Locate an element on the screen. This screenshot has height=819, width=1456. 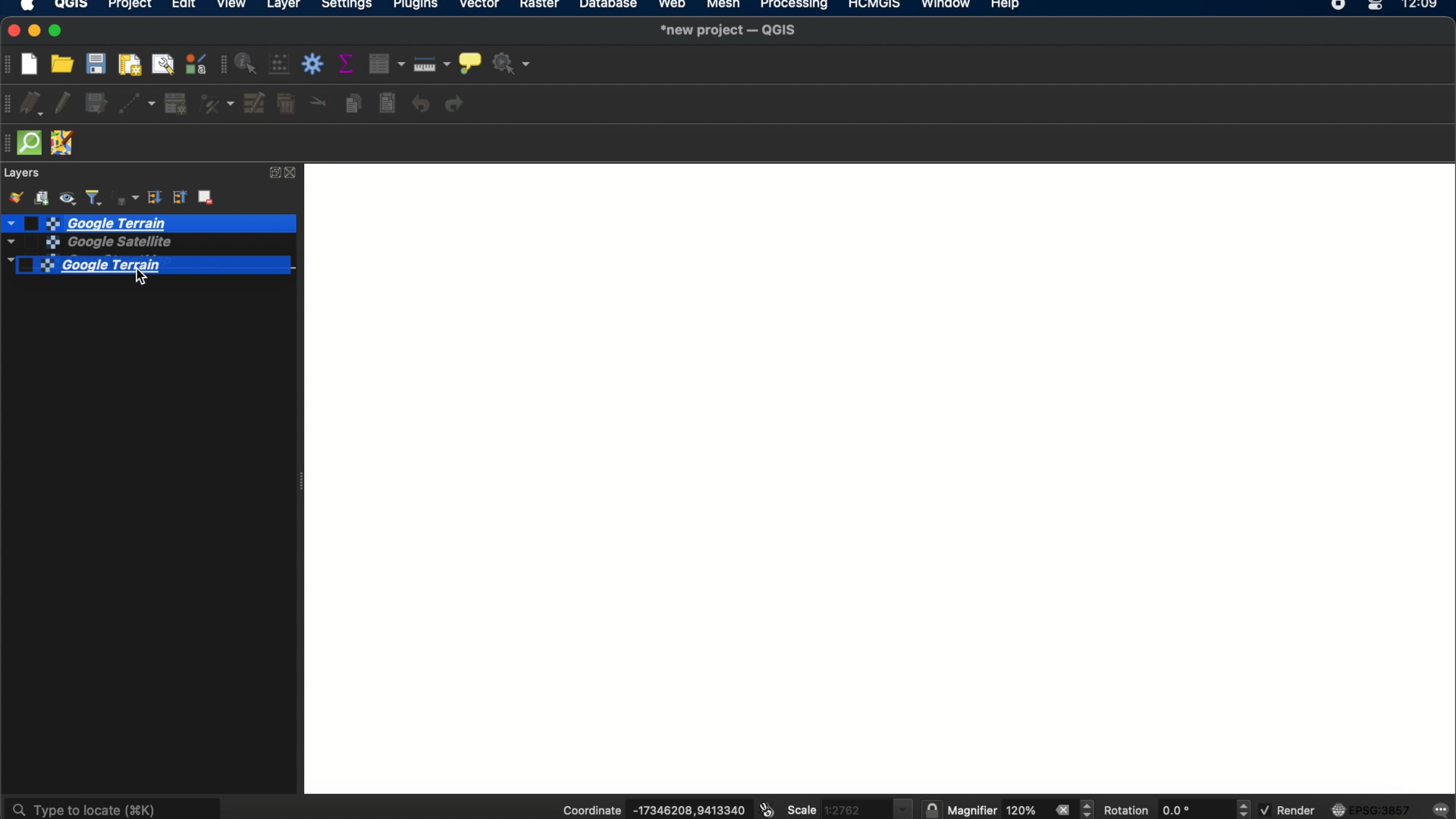
open field calculator is located at coordinates (281, 65).